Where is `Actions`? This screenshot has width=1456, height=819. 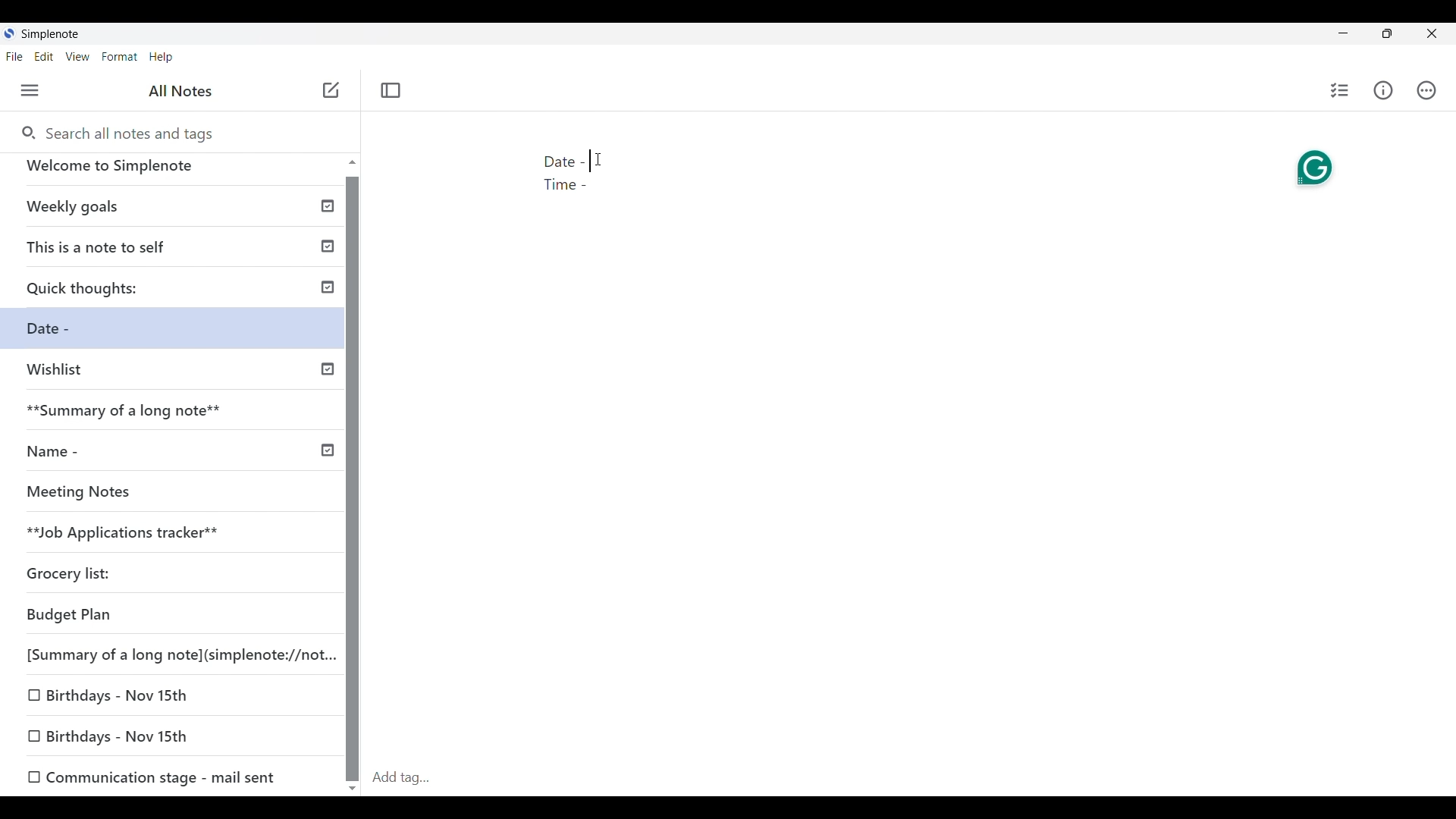
Actions is located at coordinates (1426, 90).